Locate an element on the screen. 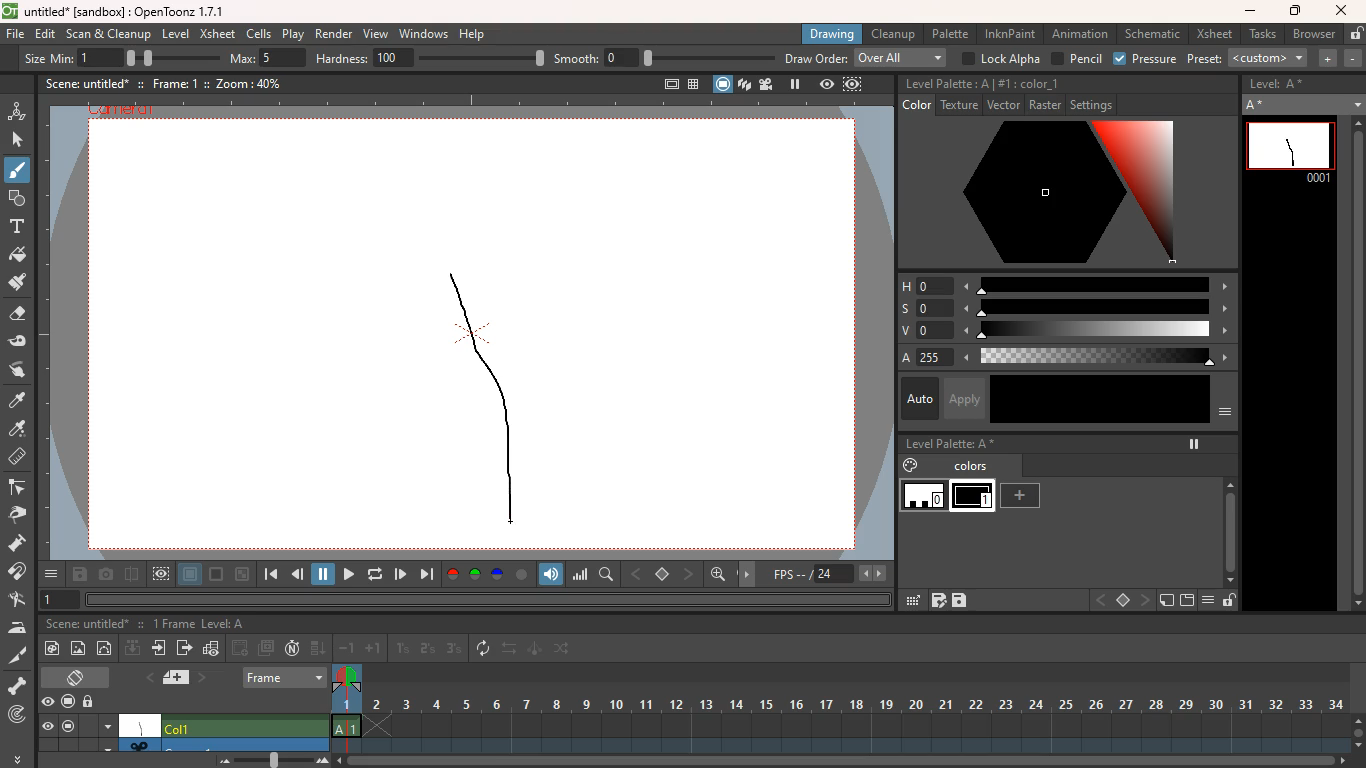 The image size is (1366, 768). paint is located at coordinates (908, 466).